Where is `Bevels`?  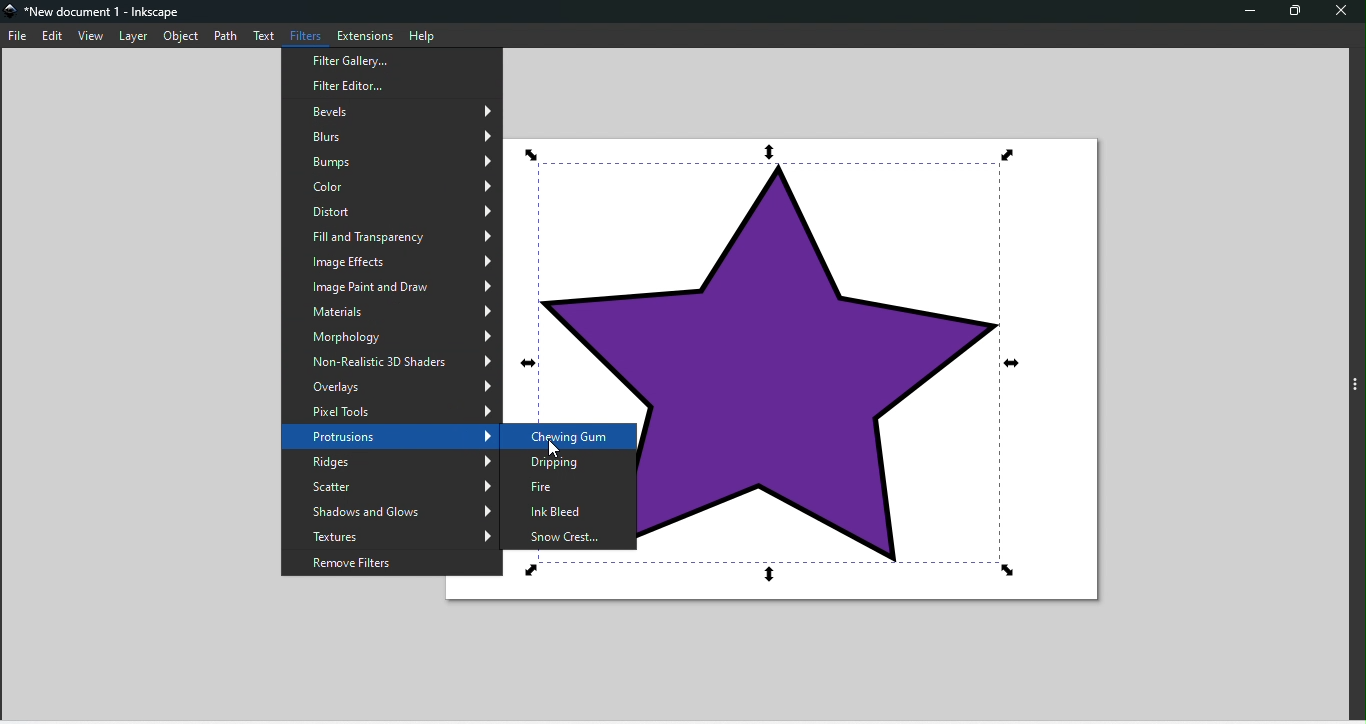 Bevels is located at coordinates (396, 109).